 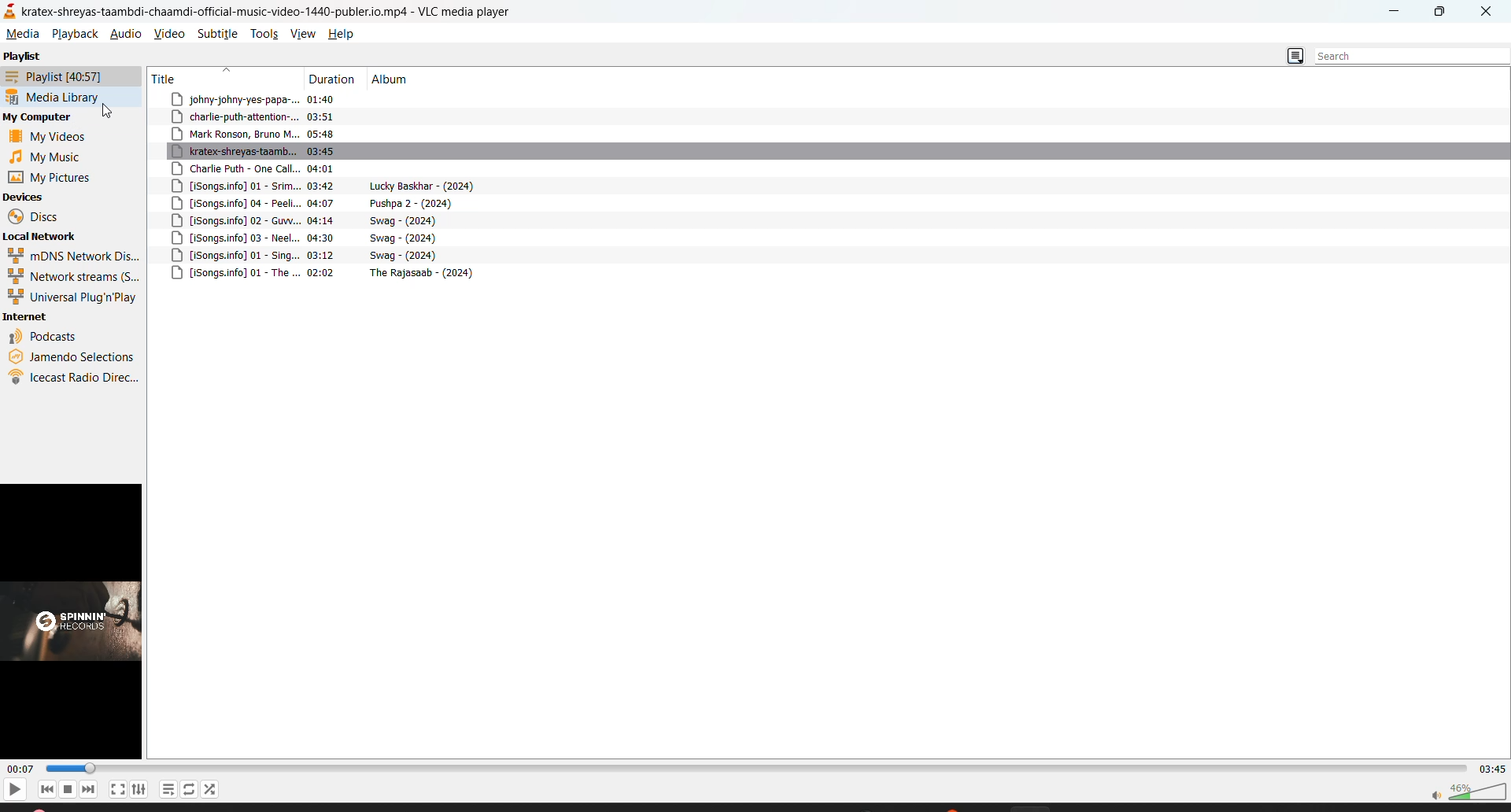 I want to click on track title , duration and album, so click(x=316, y=238).